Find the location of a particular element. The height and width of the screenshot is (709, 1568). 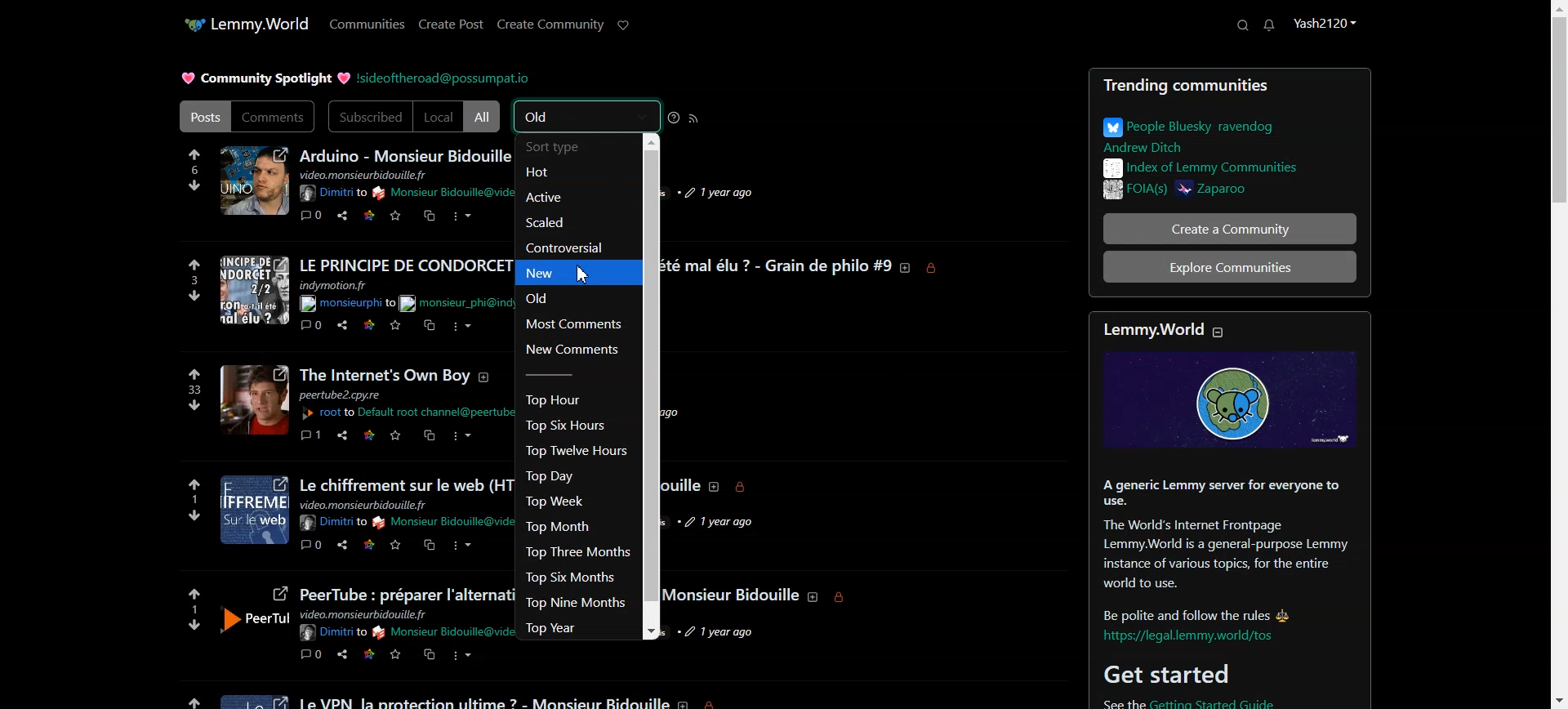

See the is located at coordinates (1114, 703).